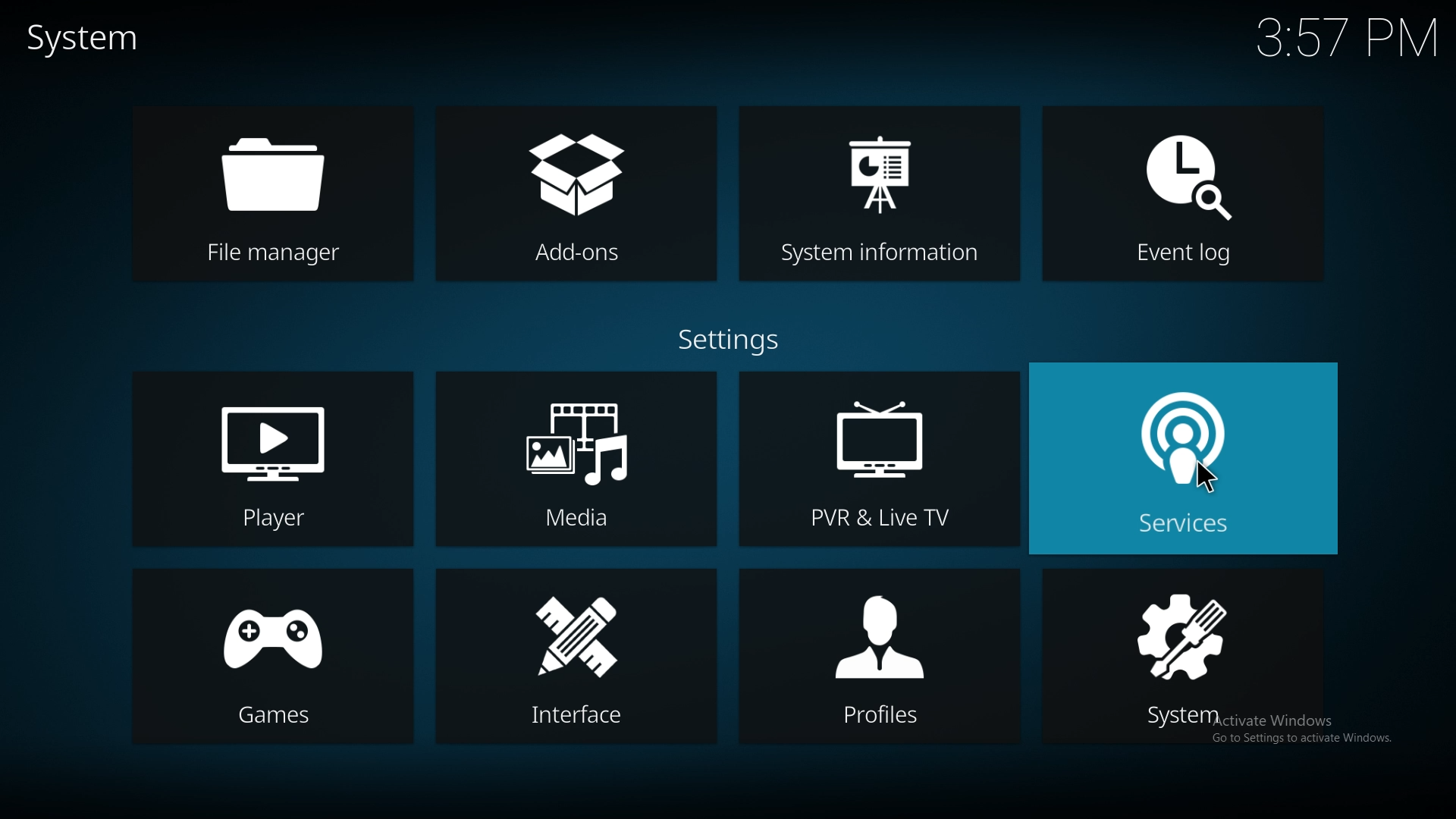 The image size is (1456, 819). I want to click on event log, so click(1180, 198).